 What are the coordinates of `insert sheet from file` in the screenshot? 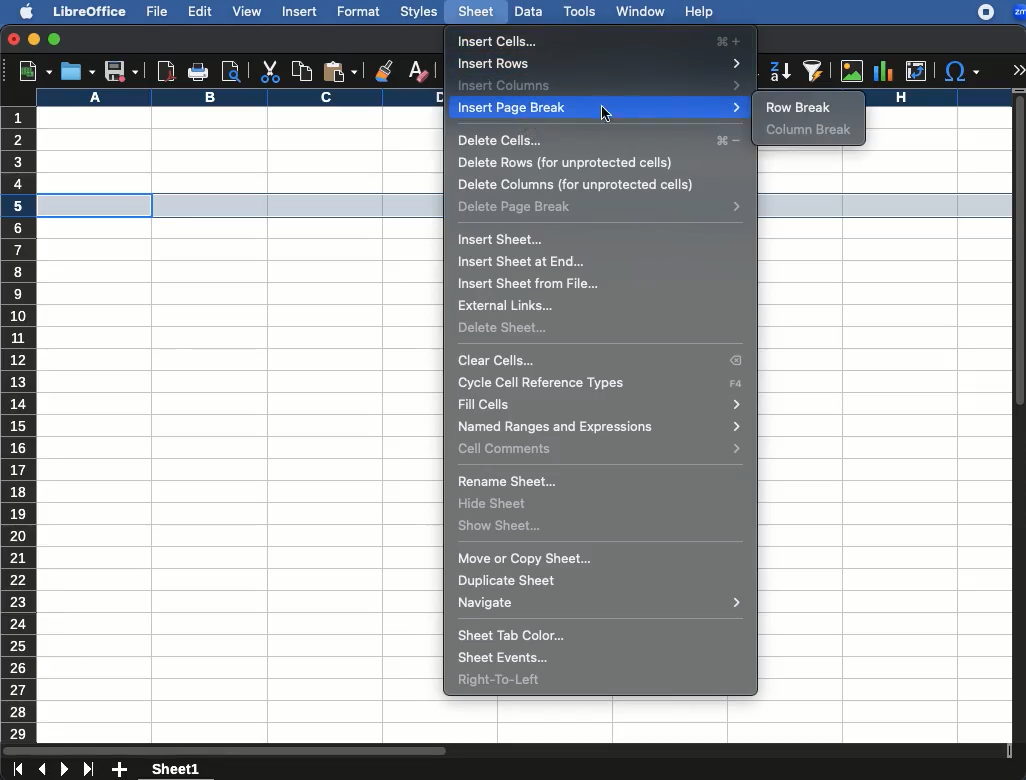 It's located at (534, 283).